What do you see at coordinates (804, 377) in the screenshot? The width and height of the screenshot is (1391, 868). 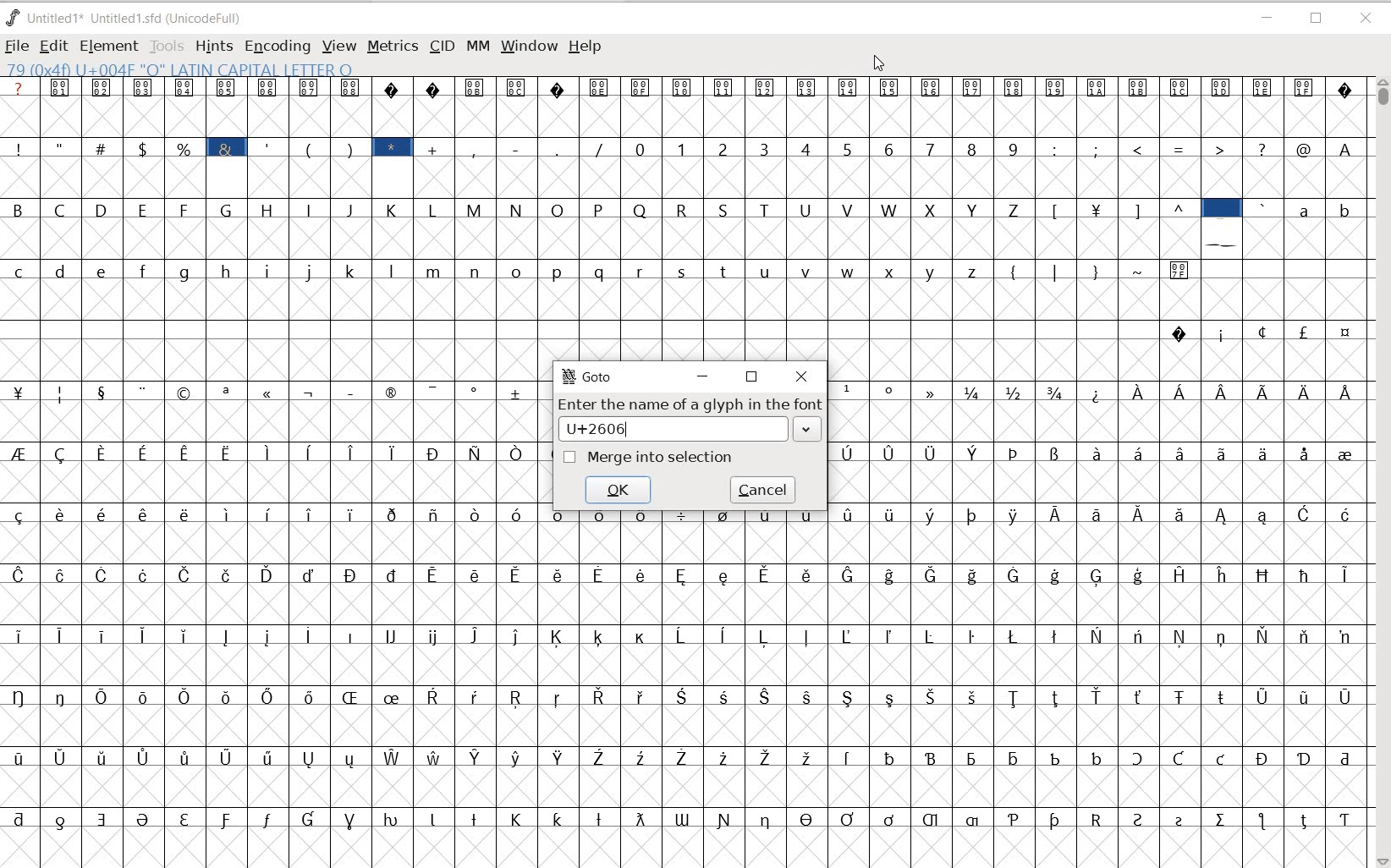 I see `close` at bounding box center [804, 377].